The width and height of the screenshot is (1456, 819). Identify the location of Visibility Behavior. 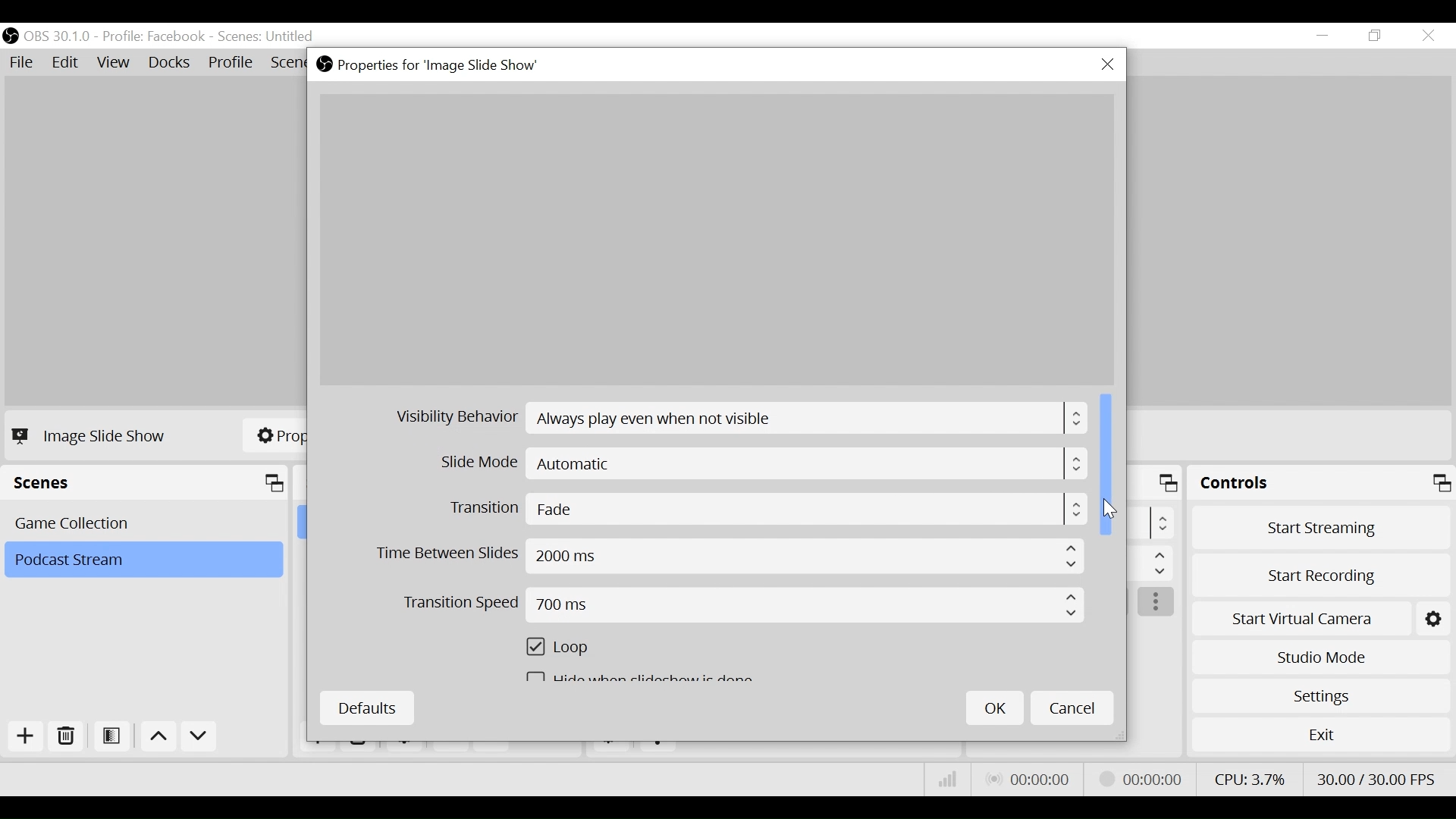
(742, 421).